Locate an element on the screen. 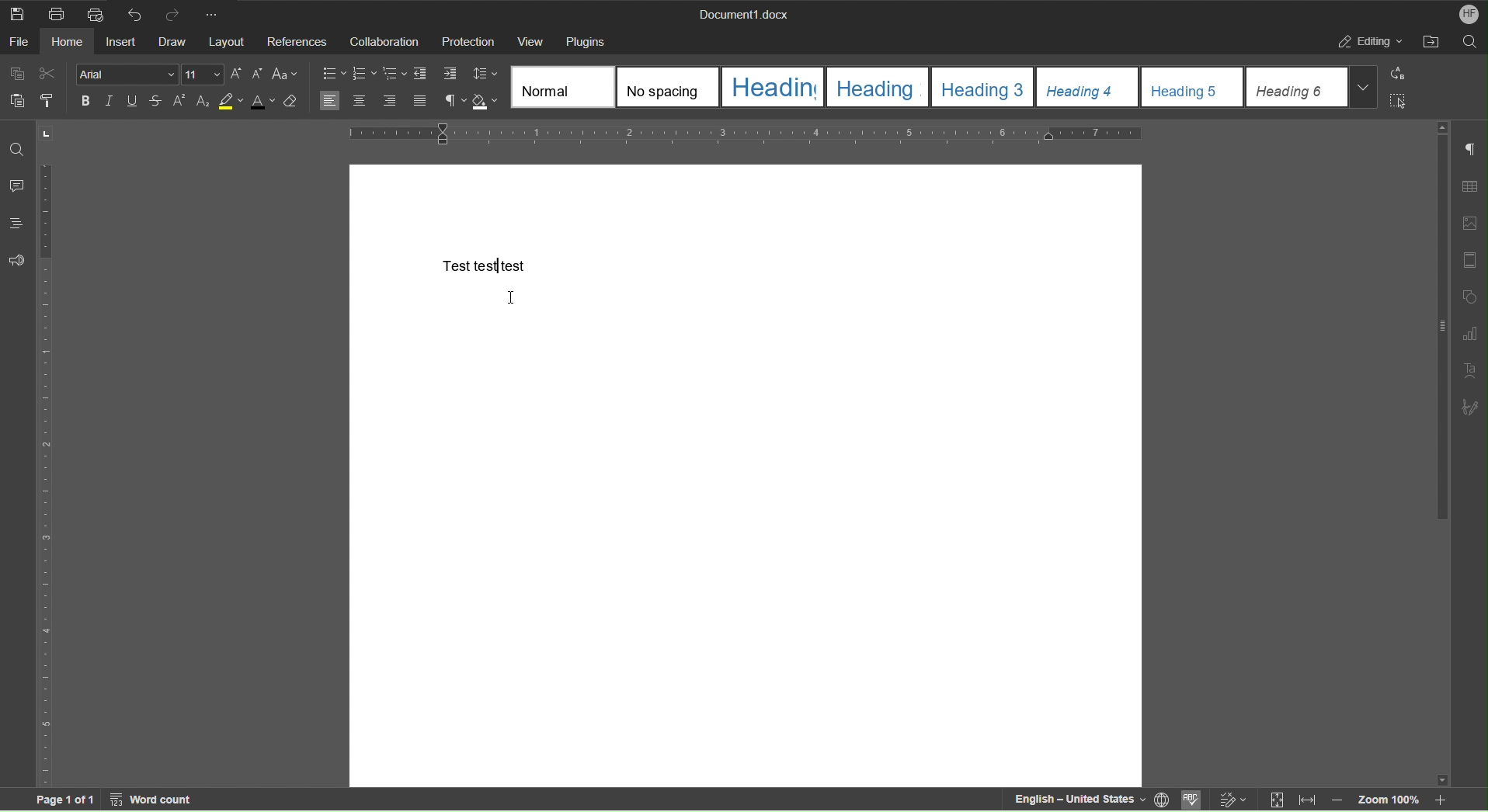  Graph is located at coordinates (1469, 335).